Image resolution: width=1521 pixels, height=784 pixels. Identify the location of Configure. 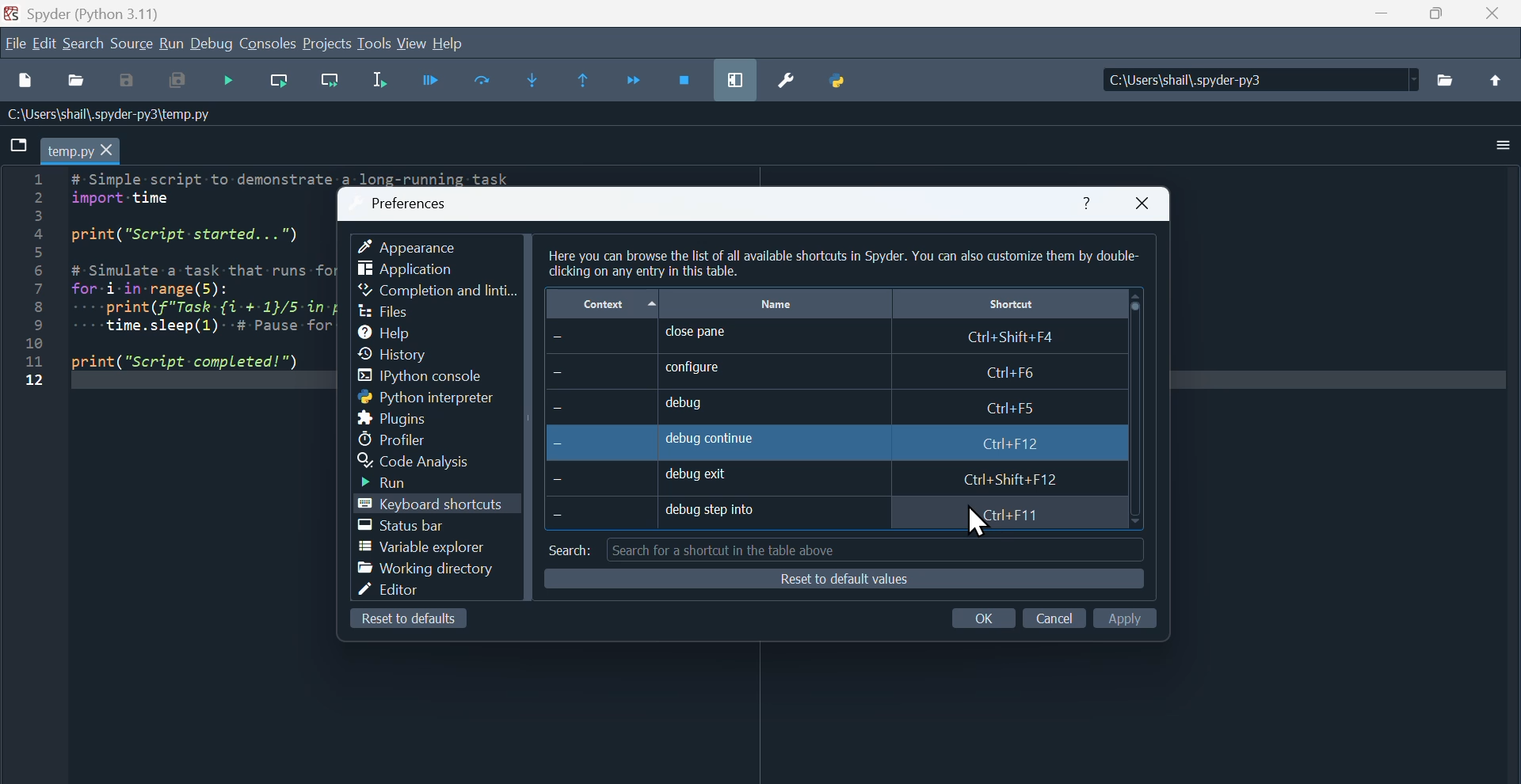
(819, 372).